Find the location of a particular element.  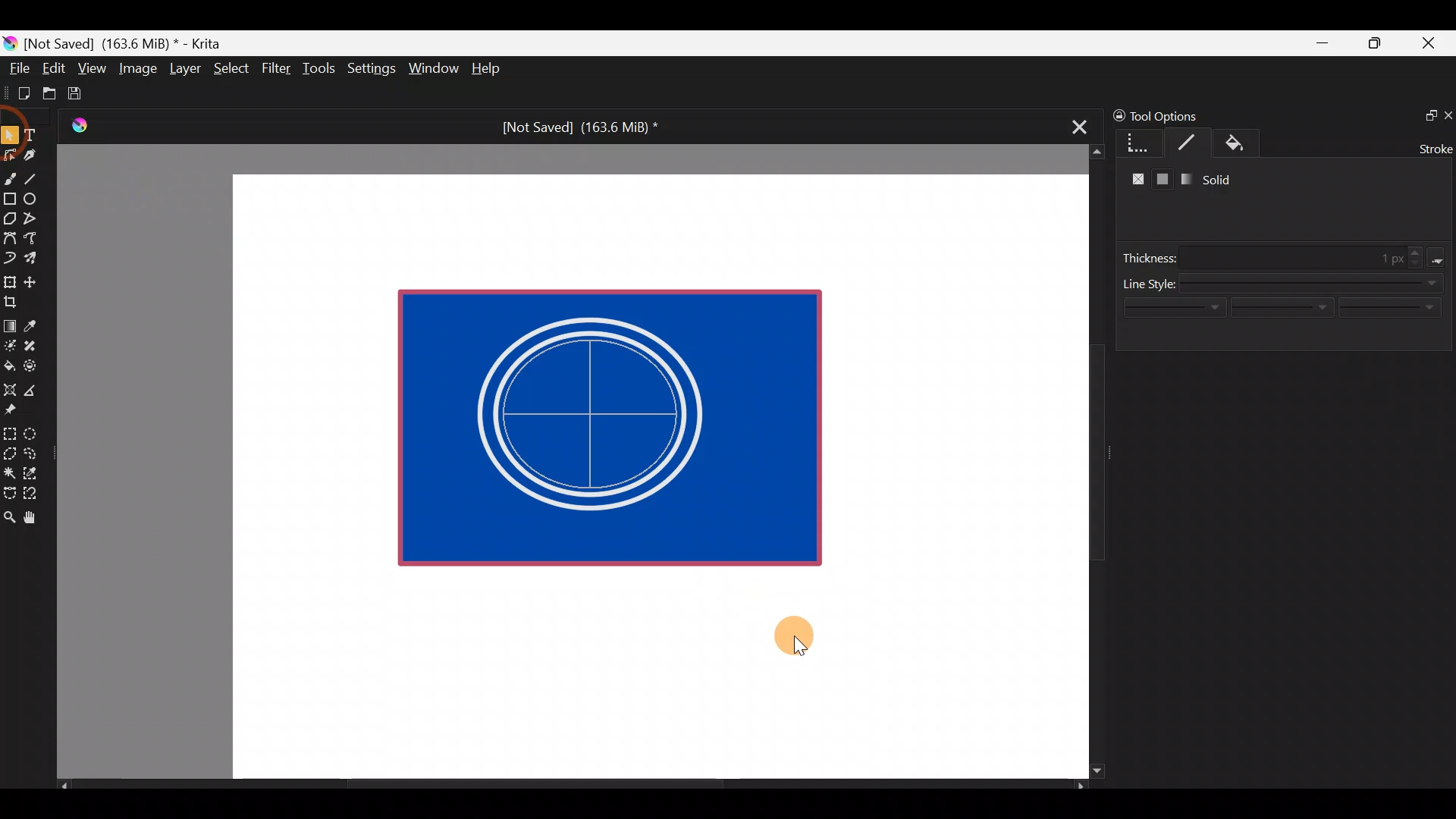

Krita logo is located at coordinates (10, 42).